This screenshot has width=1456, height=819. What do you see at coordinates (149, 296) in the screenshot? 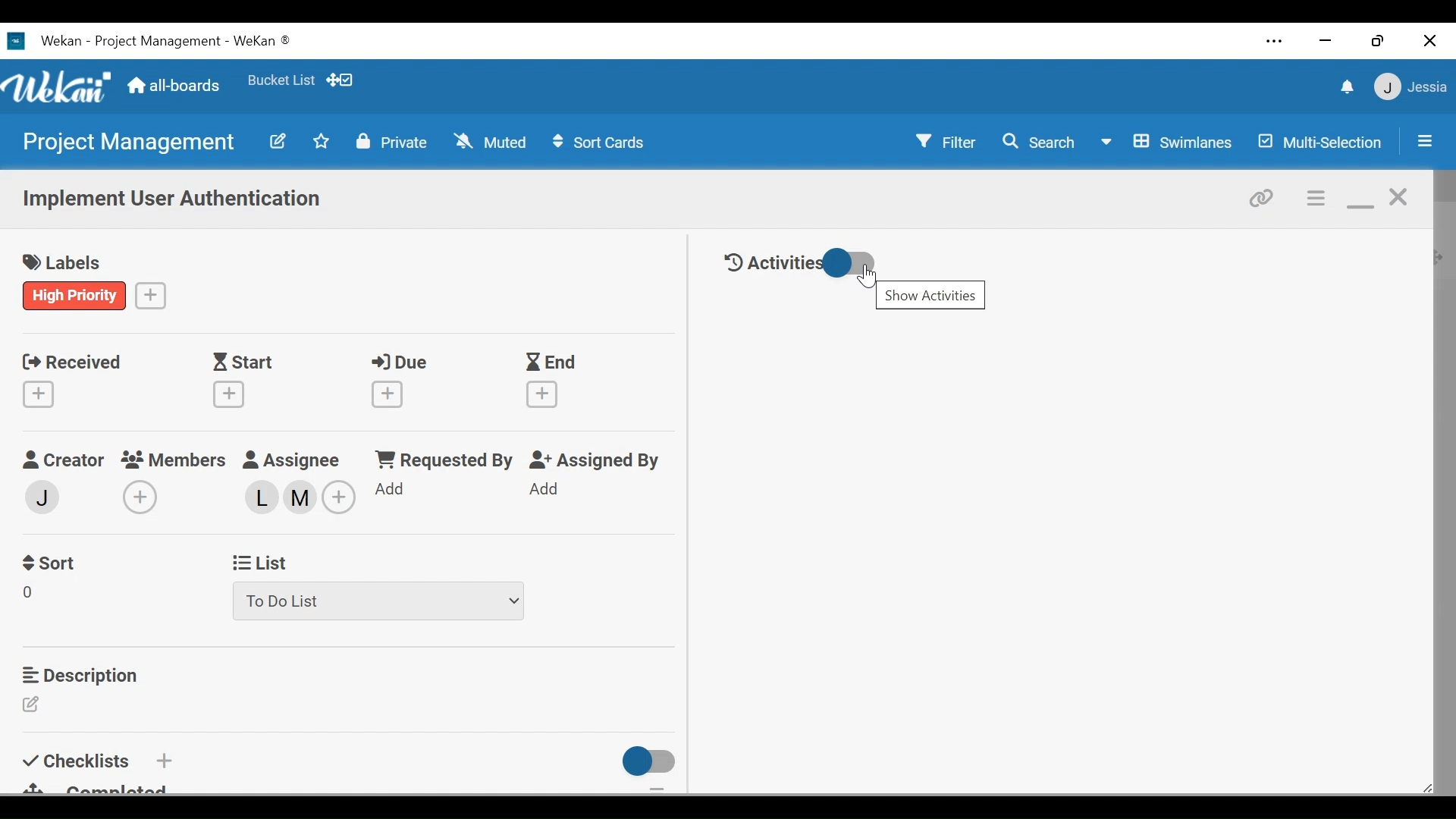
I see `Create a label` at bounding box center [149, 296].